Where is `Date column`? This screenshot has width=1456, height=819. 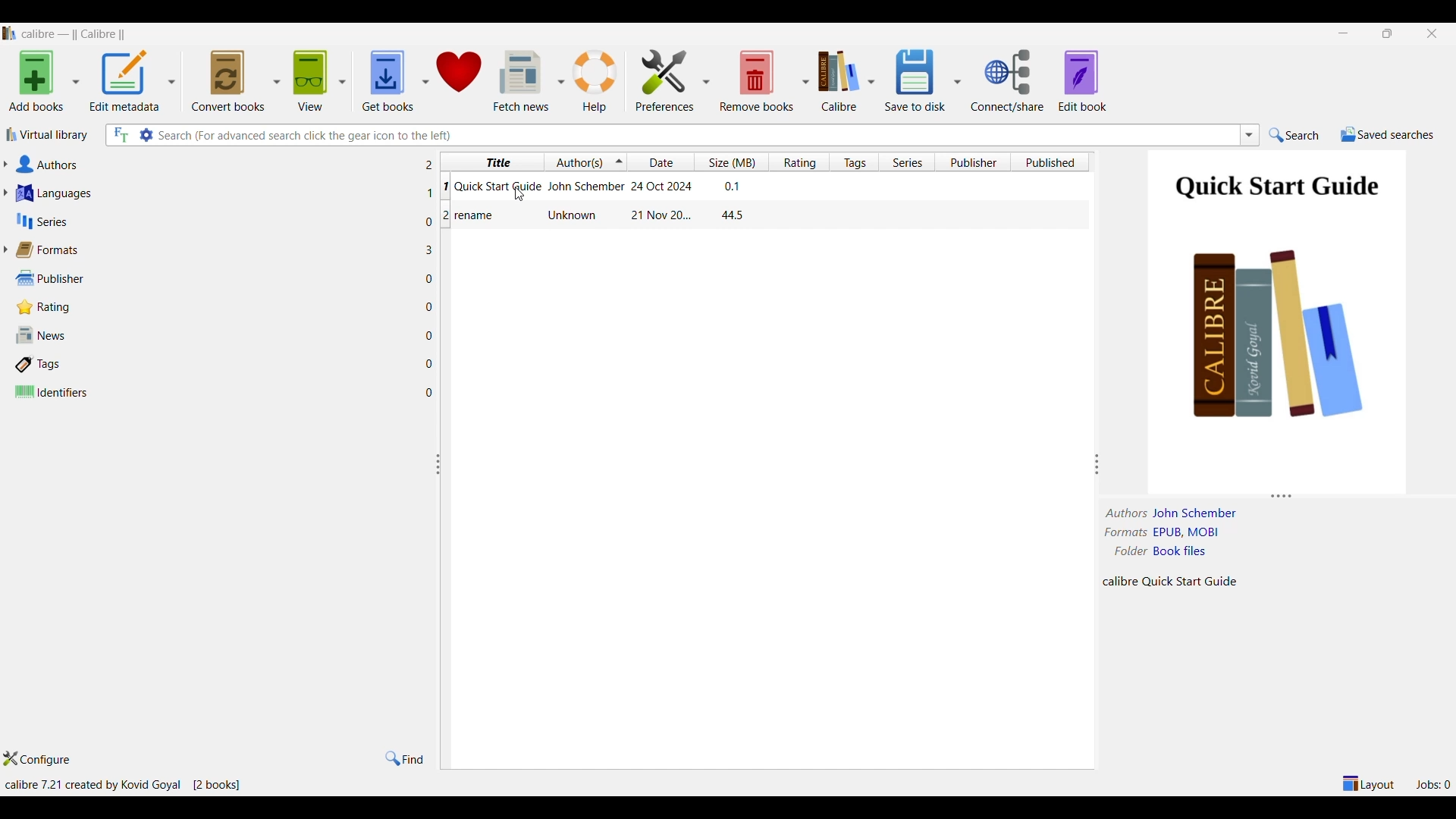 Date column is located at coordinates (663, 162).